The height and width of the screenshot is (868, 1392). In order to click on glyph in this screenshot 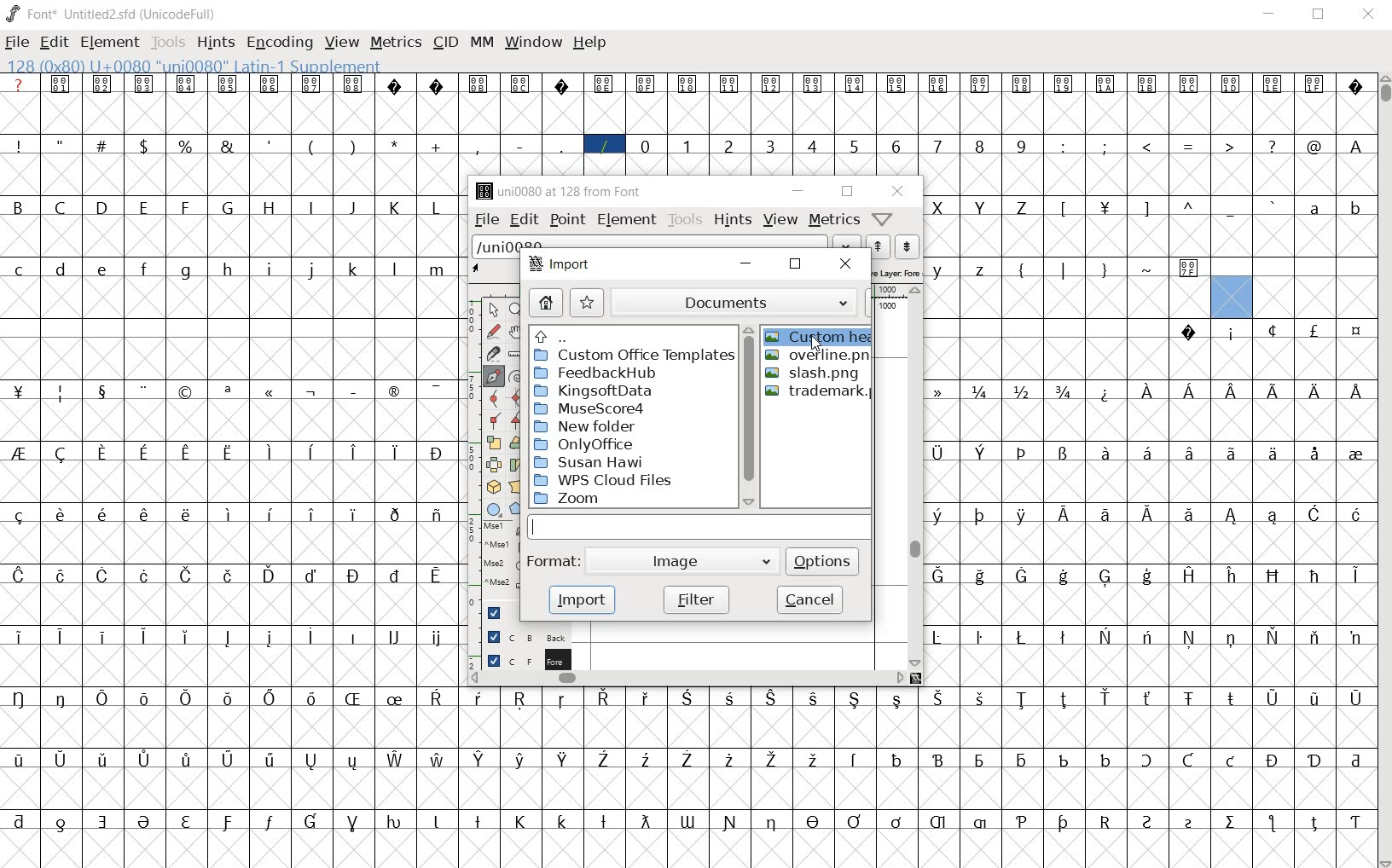, I will do `click(270, 760)`.